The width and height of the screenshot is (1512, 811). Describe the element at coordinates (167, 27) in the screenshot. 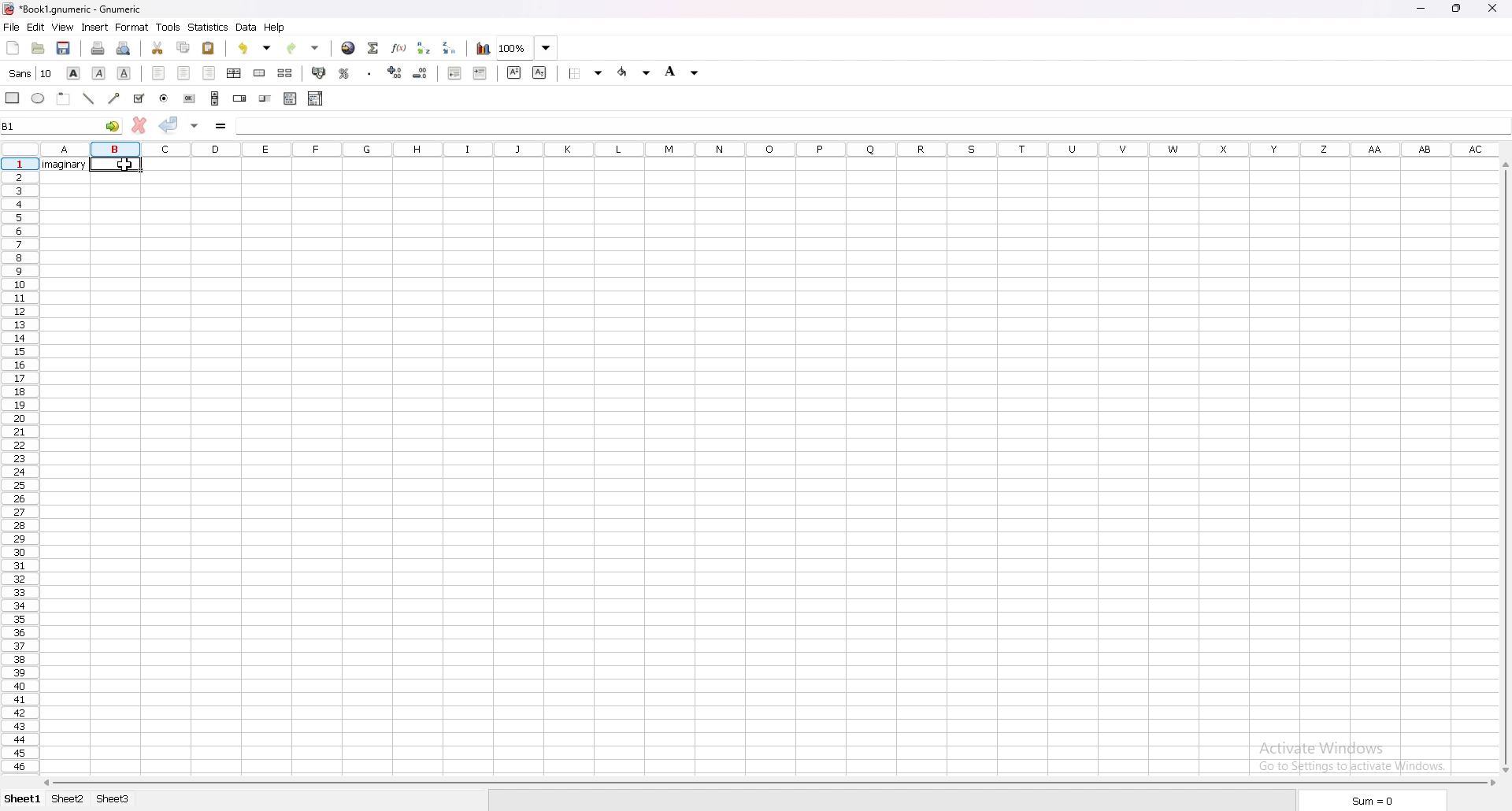

I see `tools` at that location.